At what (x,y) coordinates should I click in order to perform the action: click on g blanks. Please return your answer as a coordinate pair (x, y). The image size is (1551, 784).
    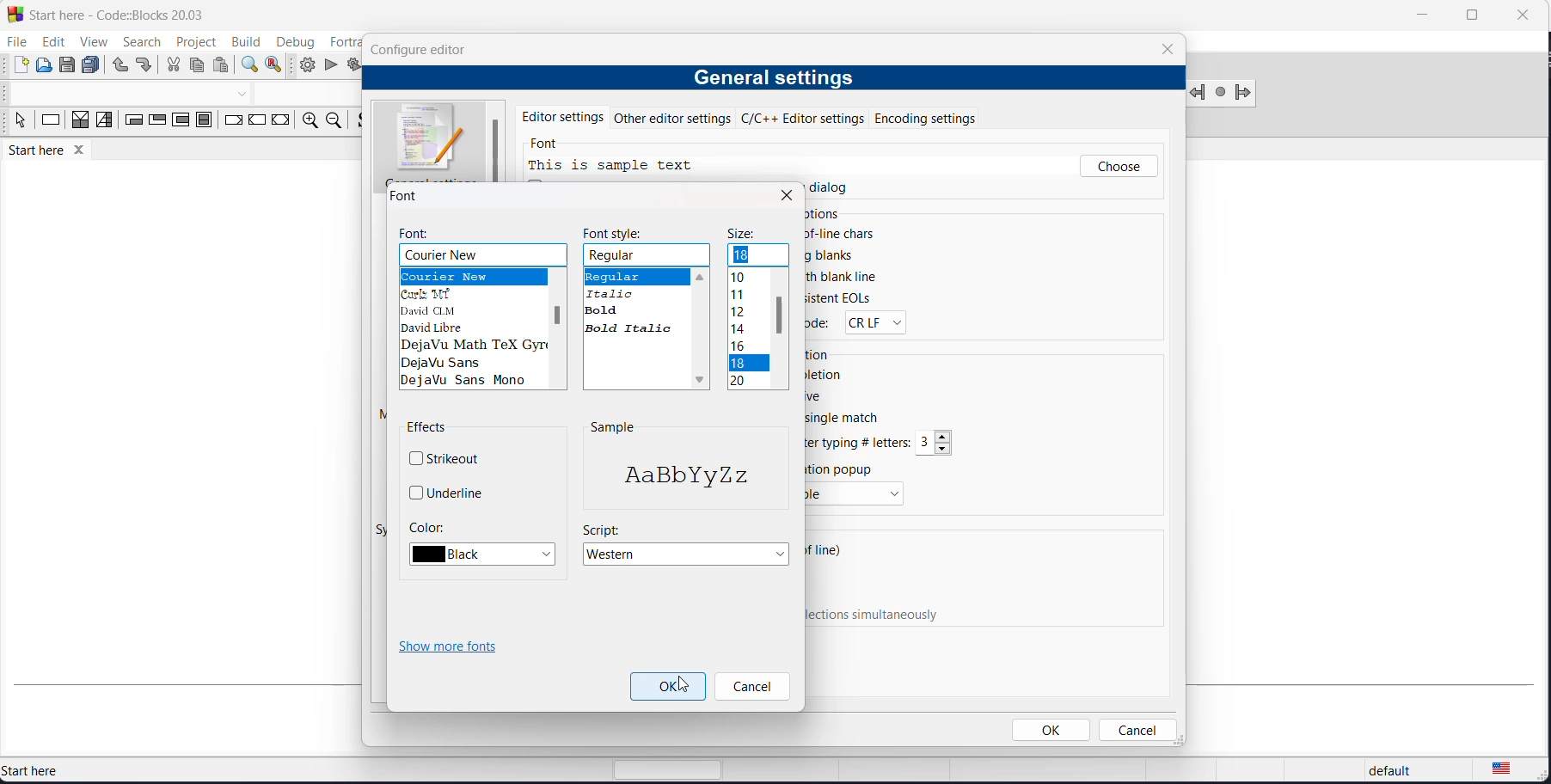
    Looking at the image, I should click on (833, 255).